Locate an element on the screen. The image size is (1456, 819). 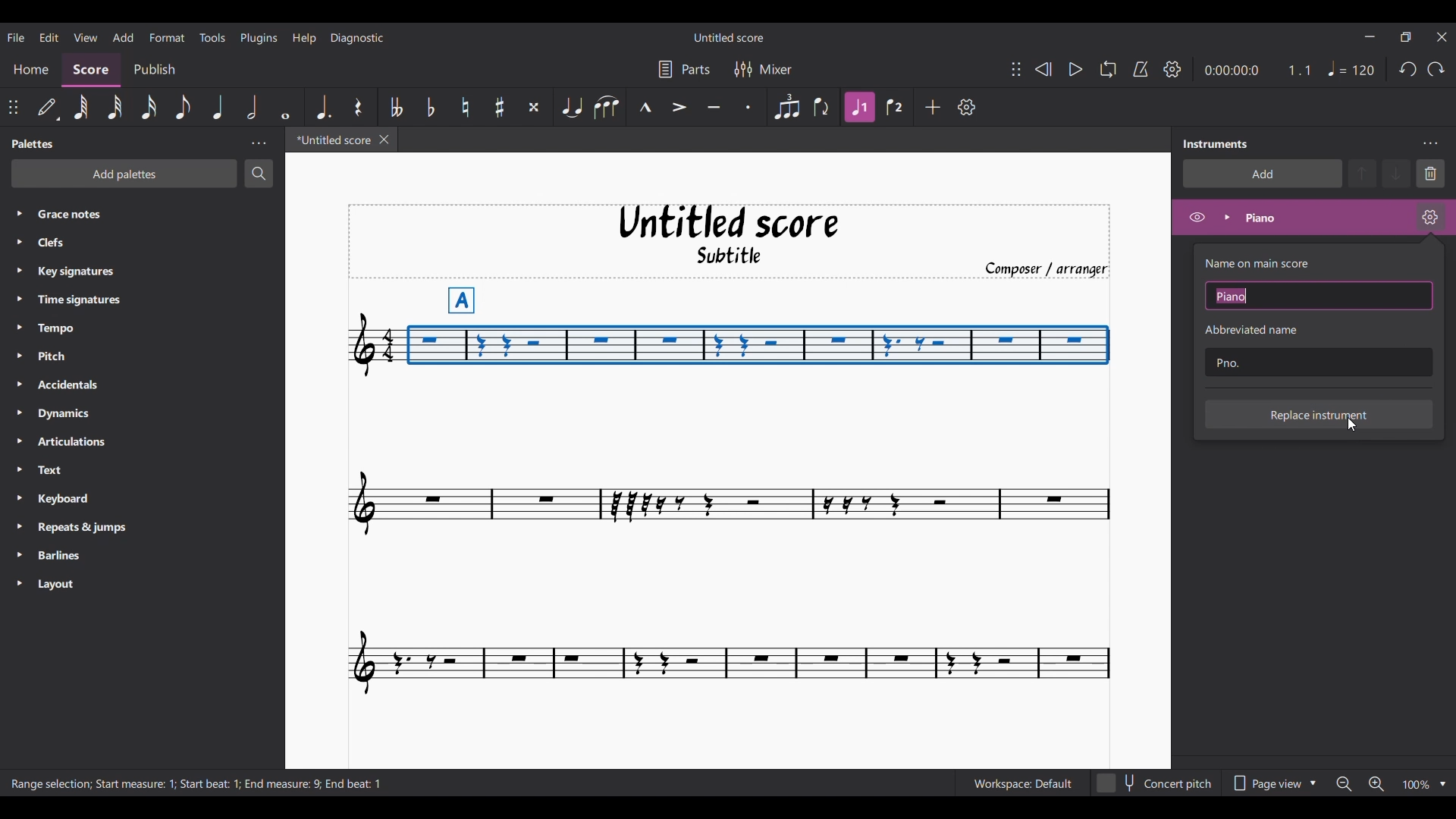
Format menu is located at coordinates (167, 36).